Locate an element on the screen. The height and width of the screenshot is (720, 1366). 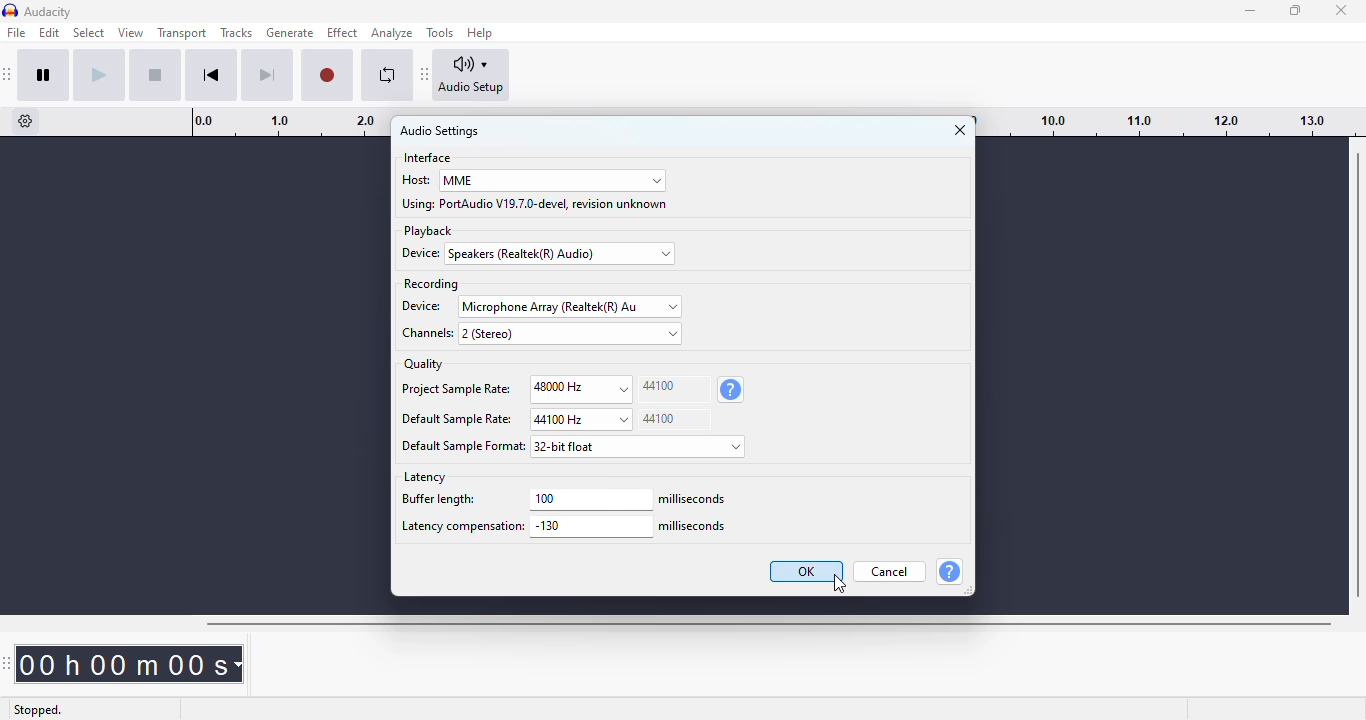
audacity audio setup toolbar is located at coordinates (425, 73).